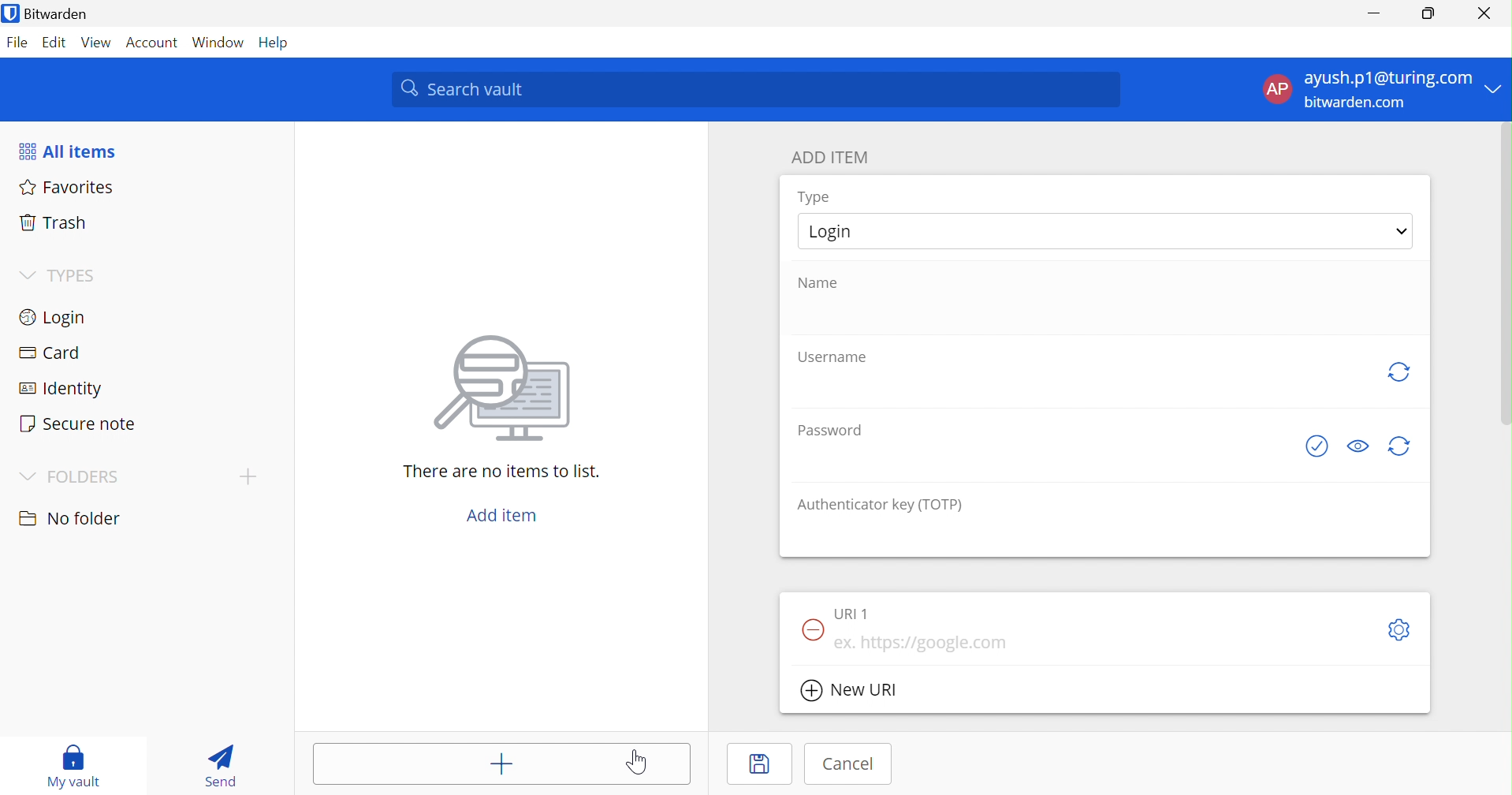 The image size is (1512, 795). What do you see at coordinates (28, 477) in the screenshot?
I see `Drop Down` at bounding box center [28, 477].